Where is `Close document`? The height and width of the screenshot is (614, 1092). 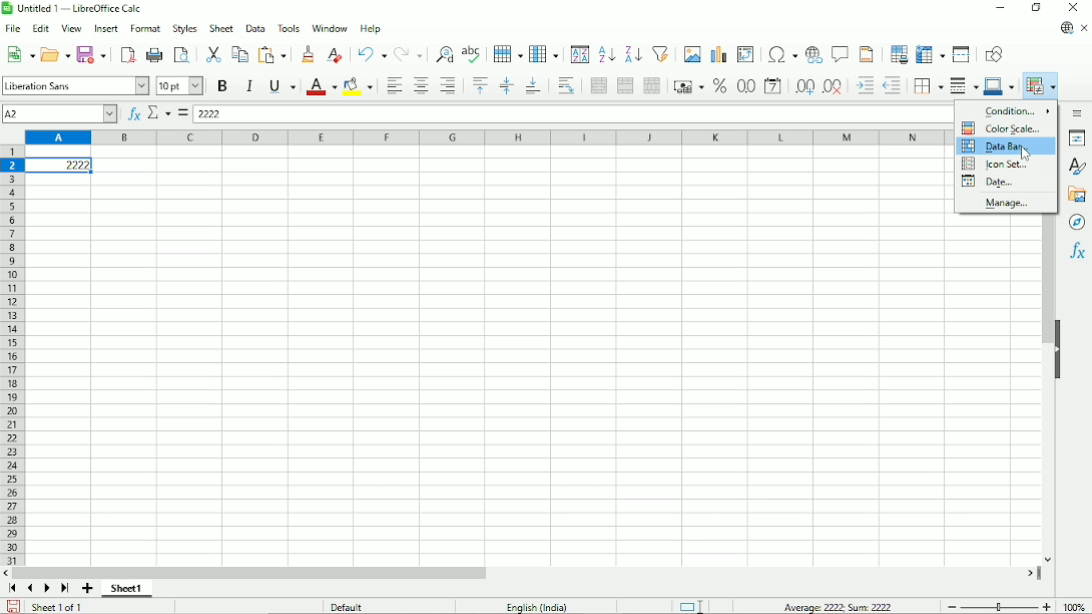
Close document is located at coordinates (1085, 28).